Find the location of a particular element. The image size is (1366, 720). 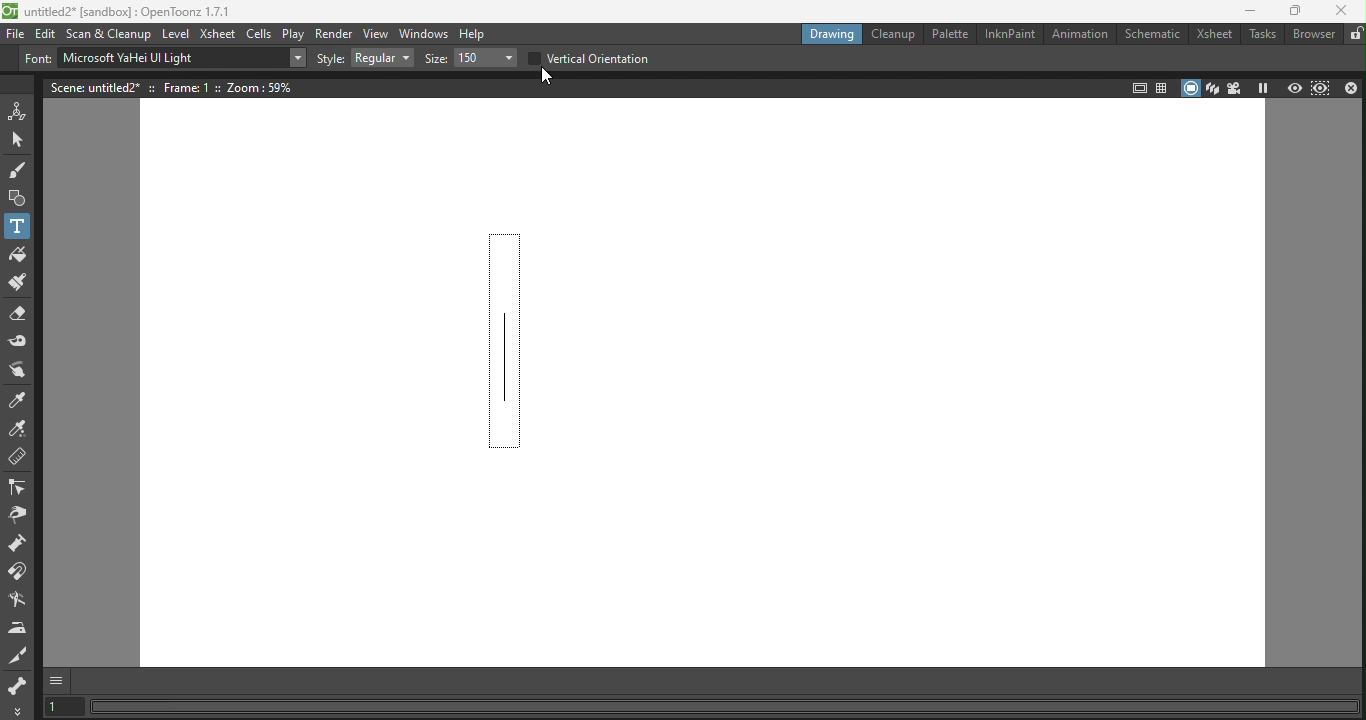

Animation is located at coordinates (1083, 34).